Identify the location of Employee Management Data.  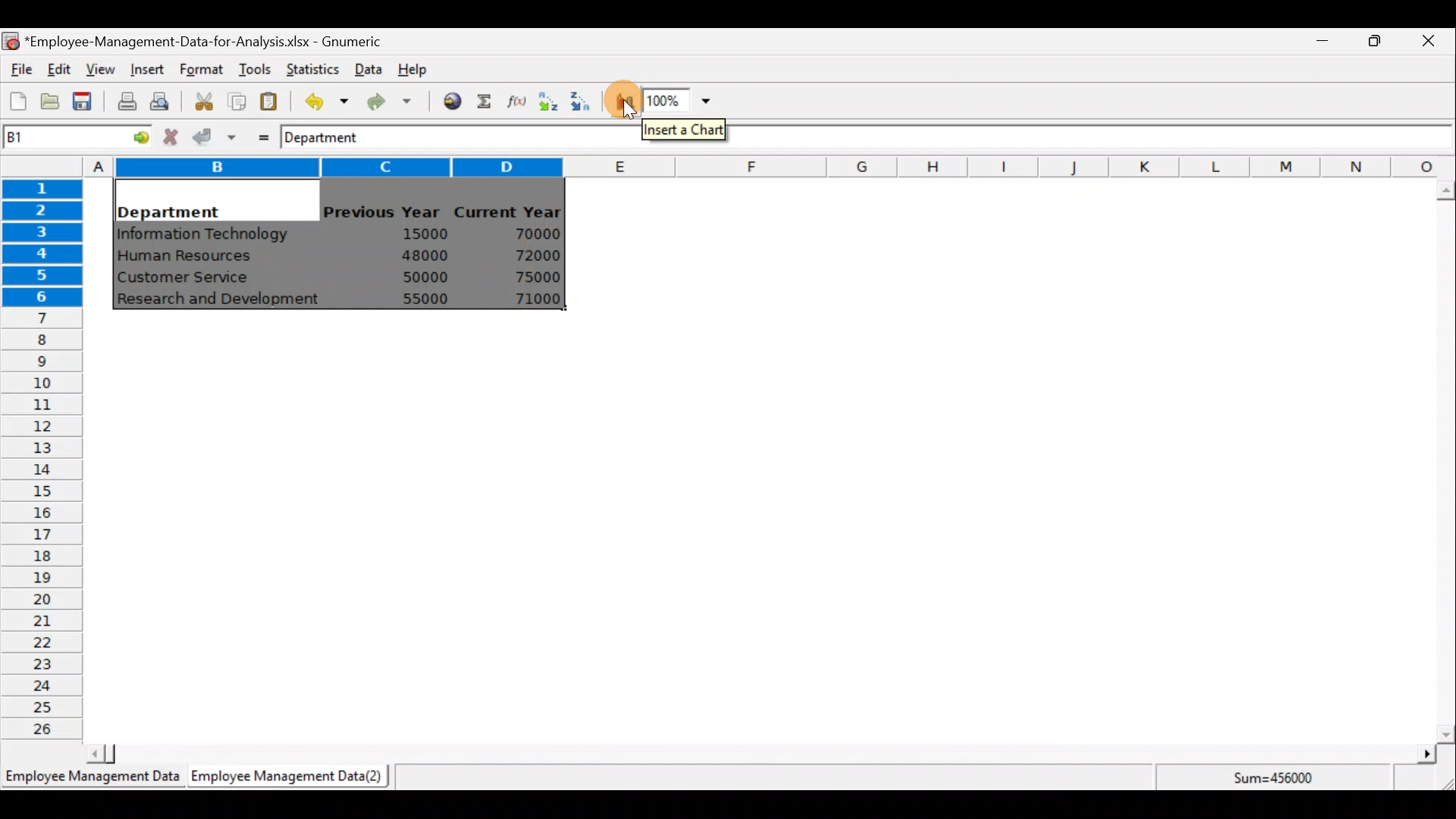
(91, 781).